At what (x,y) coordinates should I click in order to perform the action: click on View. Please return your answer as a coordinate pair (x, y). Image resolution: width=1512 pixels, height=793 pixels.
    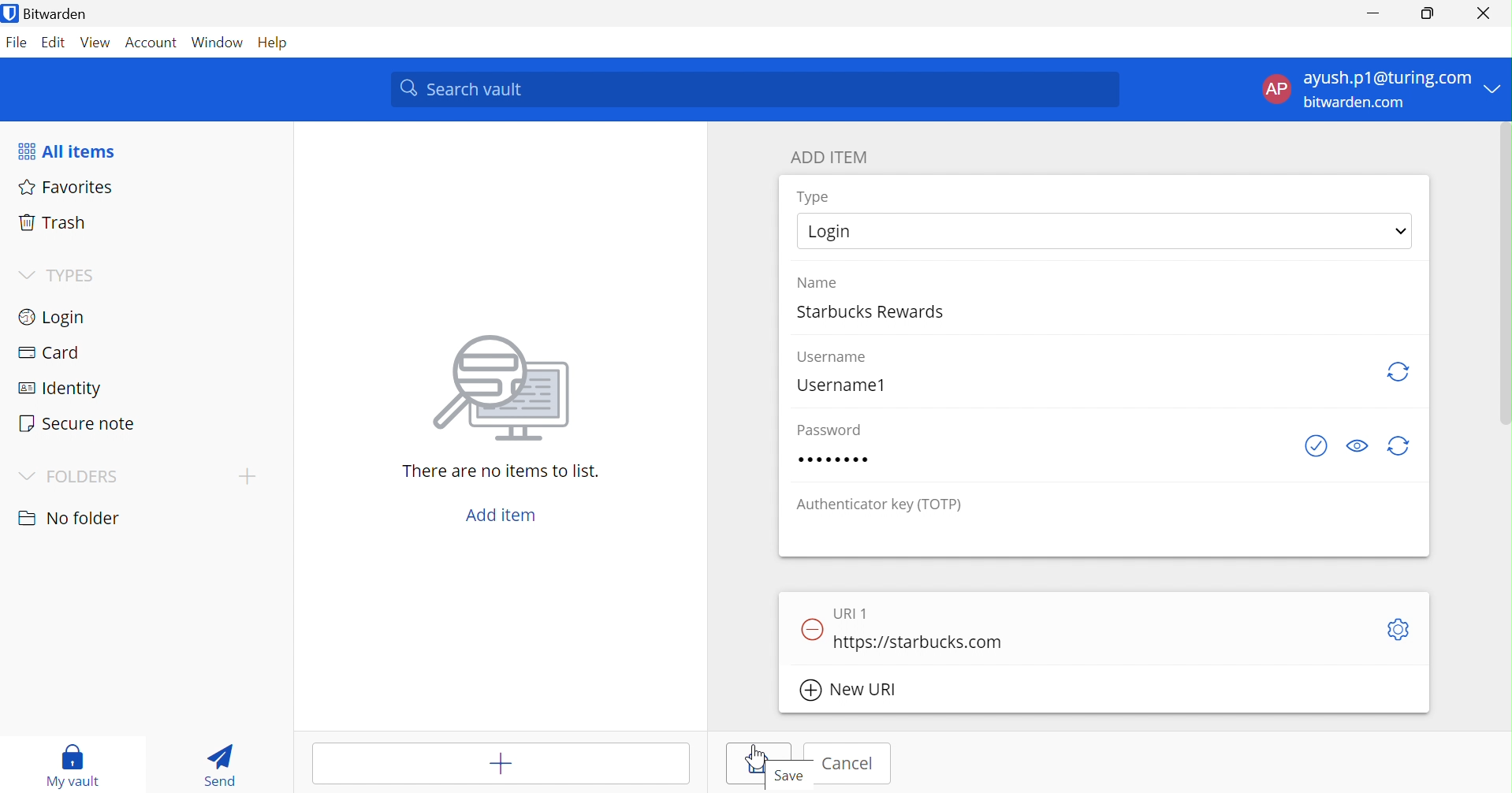
    Looking at the image, I should click on (95, 45).